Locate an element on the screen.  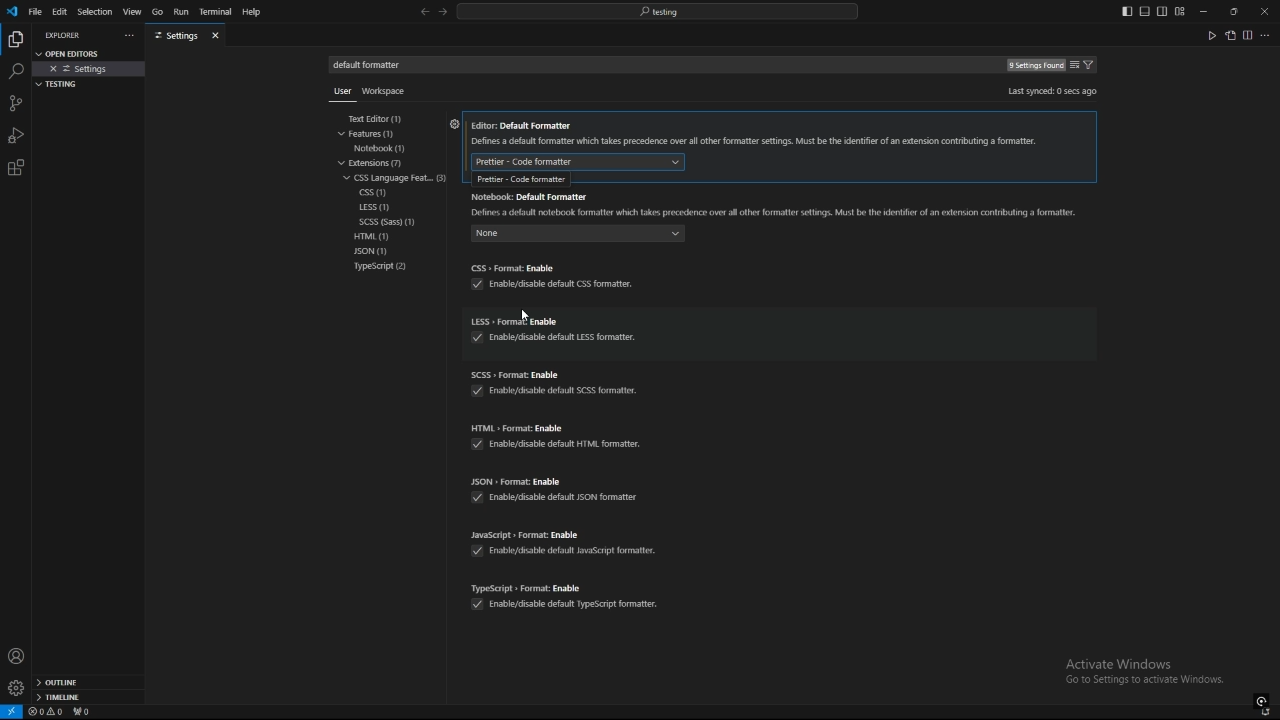
settings is located at coordinates (454, 127).